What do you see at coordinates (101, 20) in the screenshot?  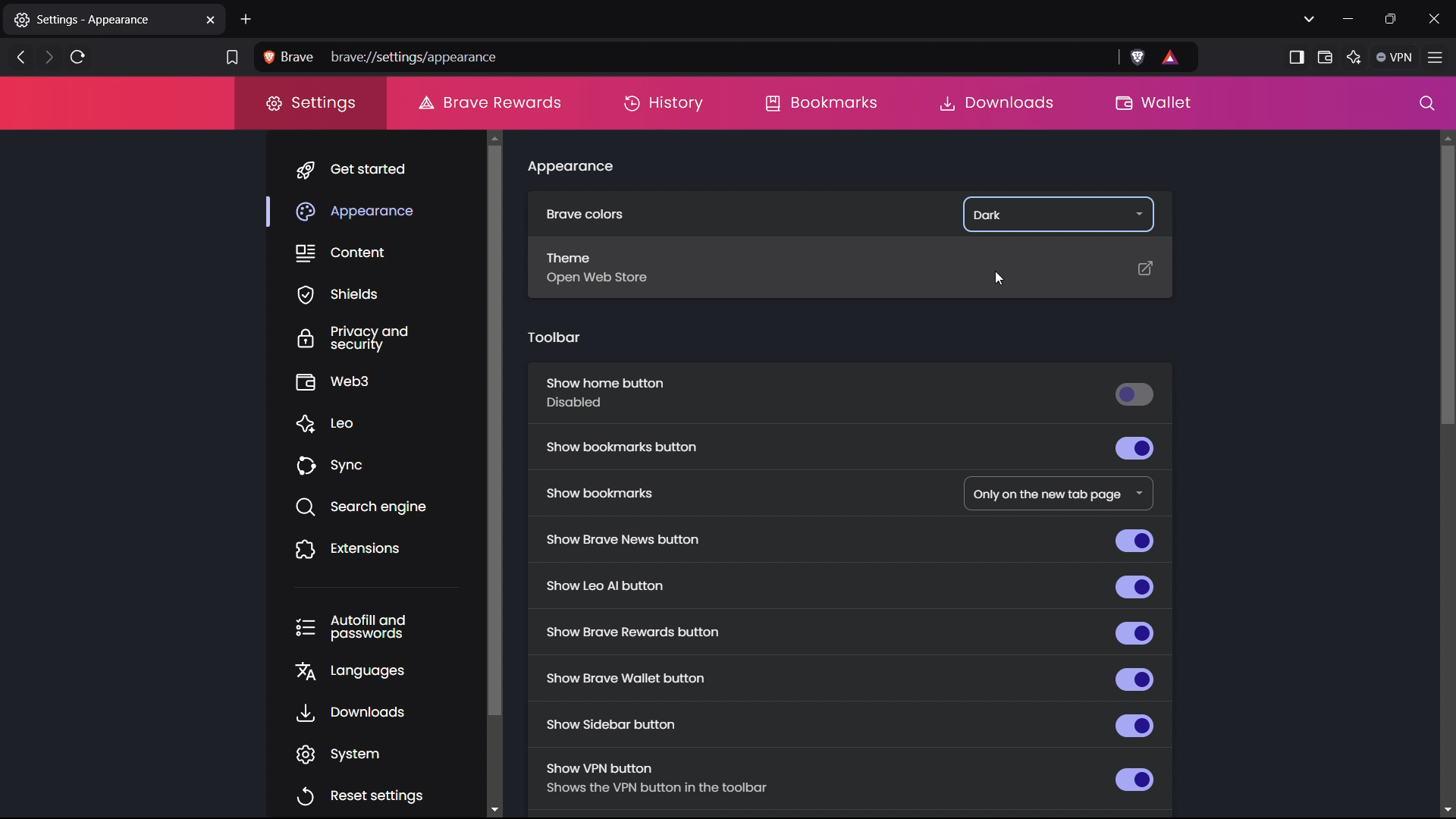 I see `Settings - Appearance` at bounding box center [101, 20].